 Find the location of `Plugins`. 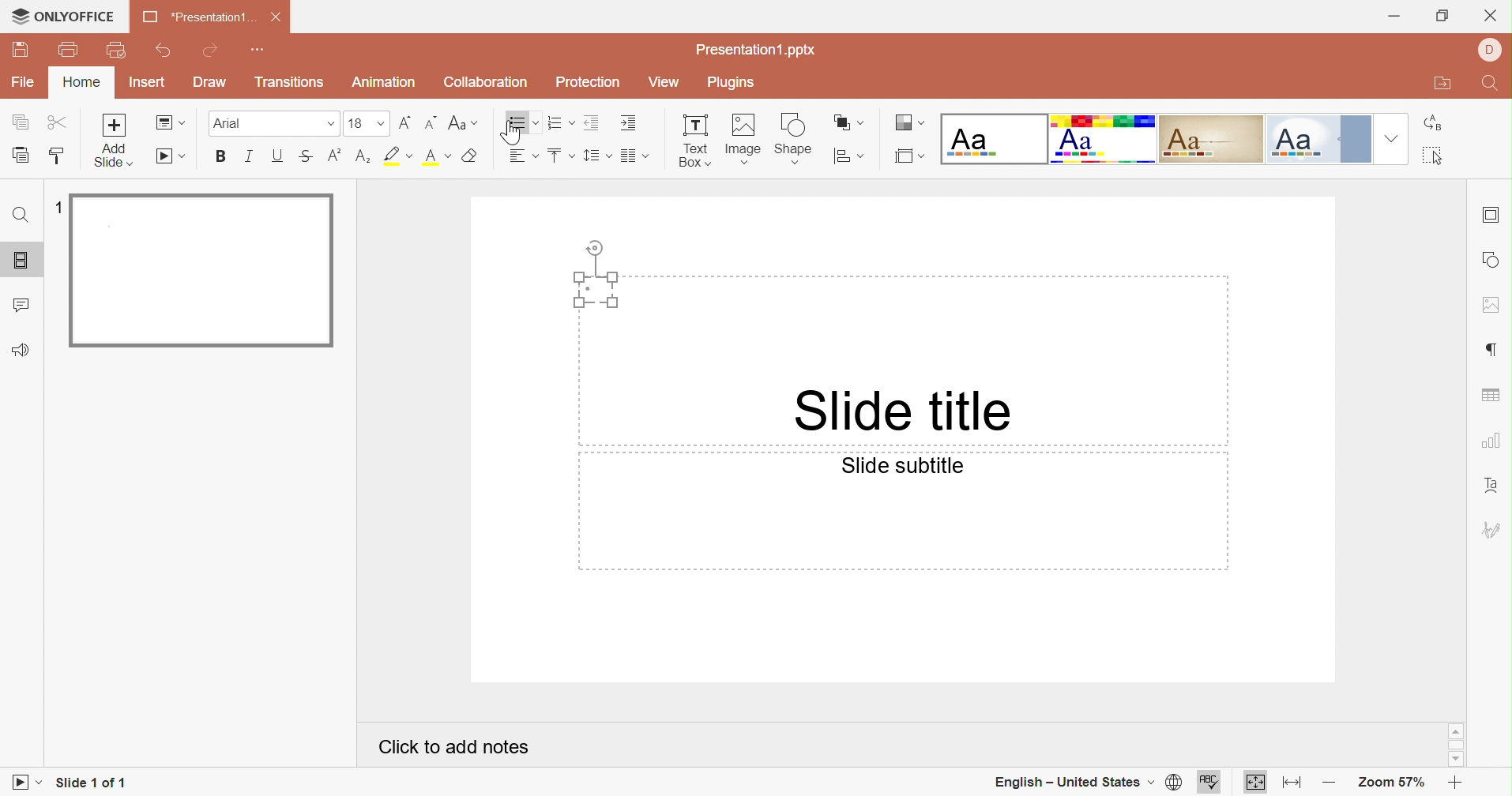

Plugins is located at coordinates (734, 82).